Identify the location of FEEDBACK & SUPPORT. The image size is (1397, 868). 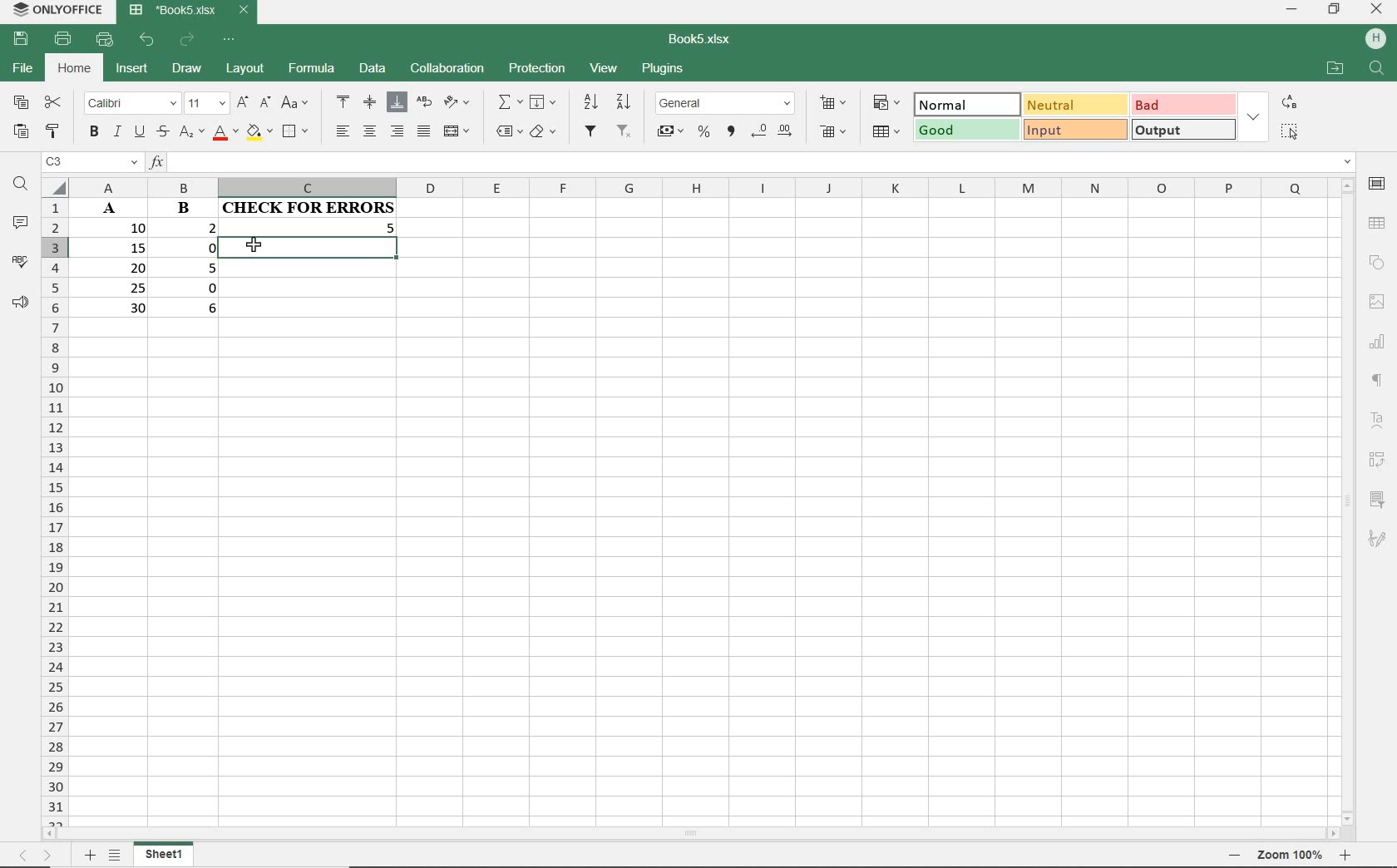
(17, 299).